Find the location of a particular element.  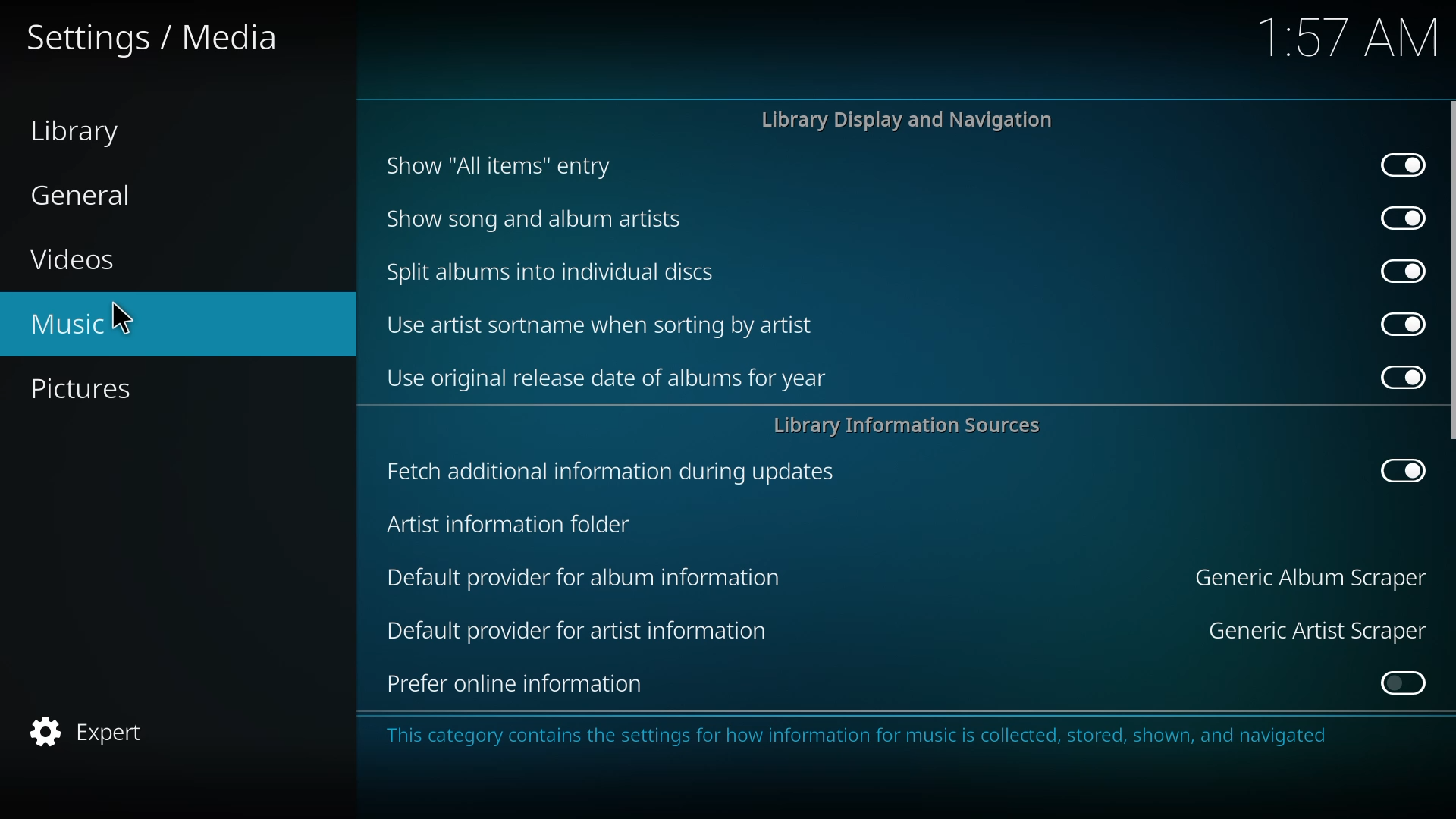

library display and navigation is located at coordinates (908, 120).